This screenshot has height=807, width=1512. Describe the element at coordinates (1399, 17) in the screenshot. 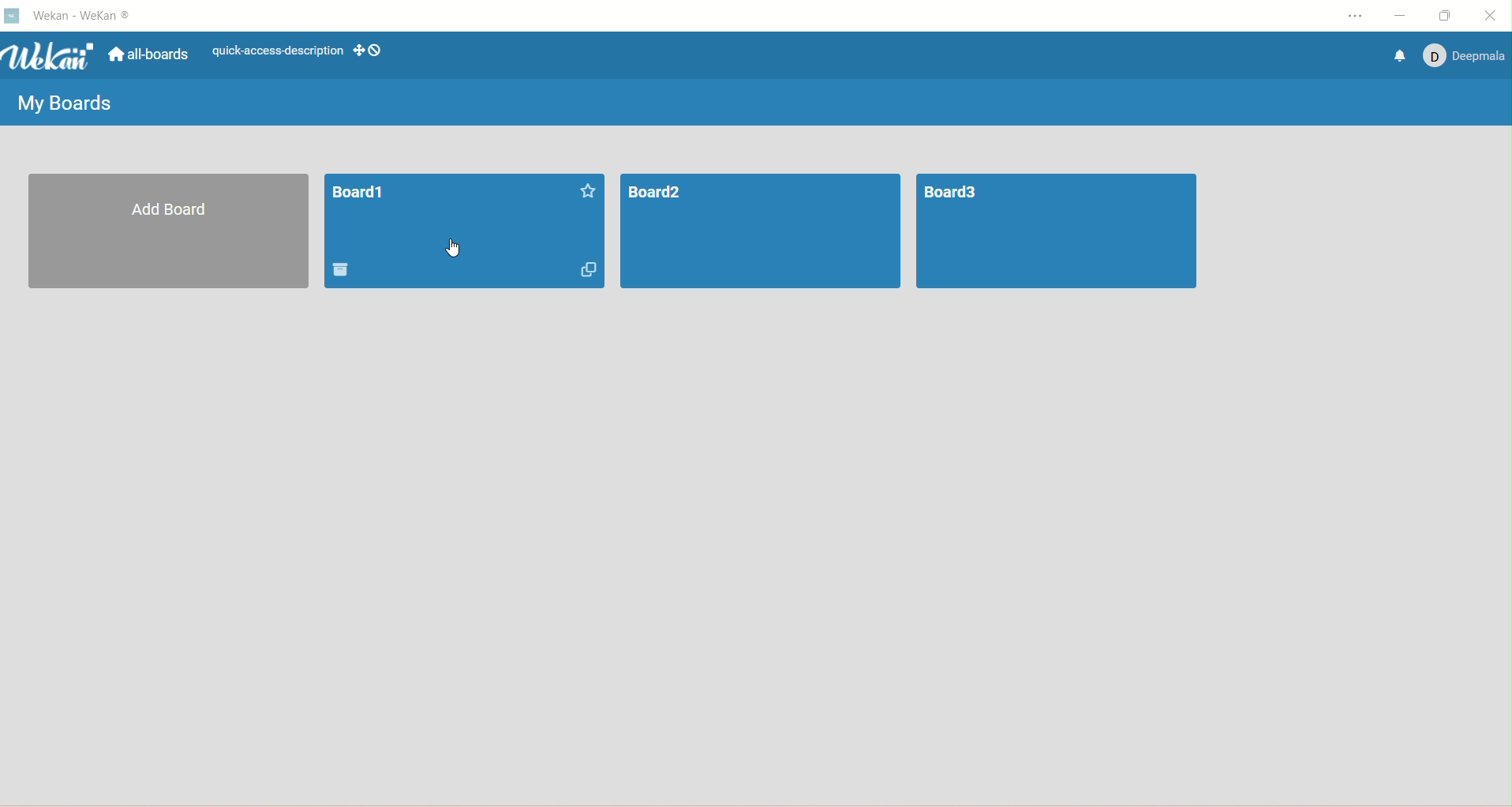

I see `minimize` at that location.